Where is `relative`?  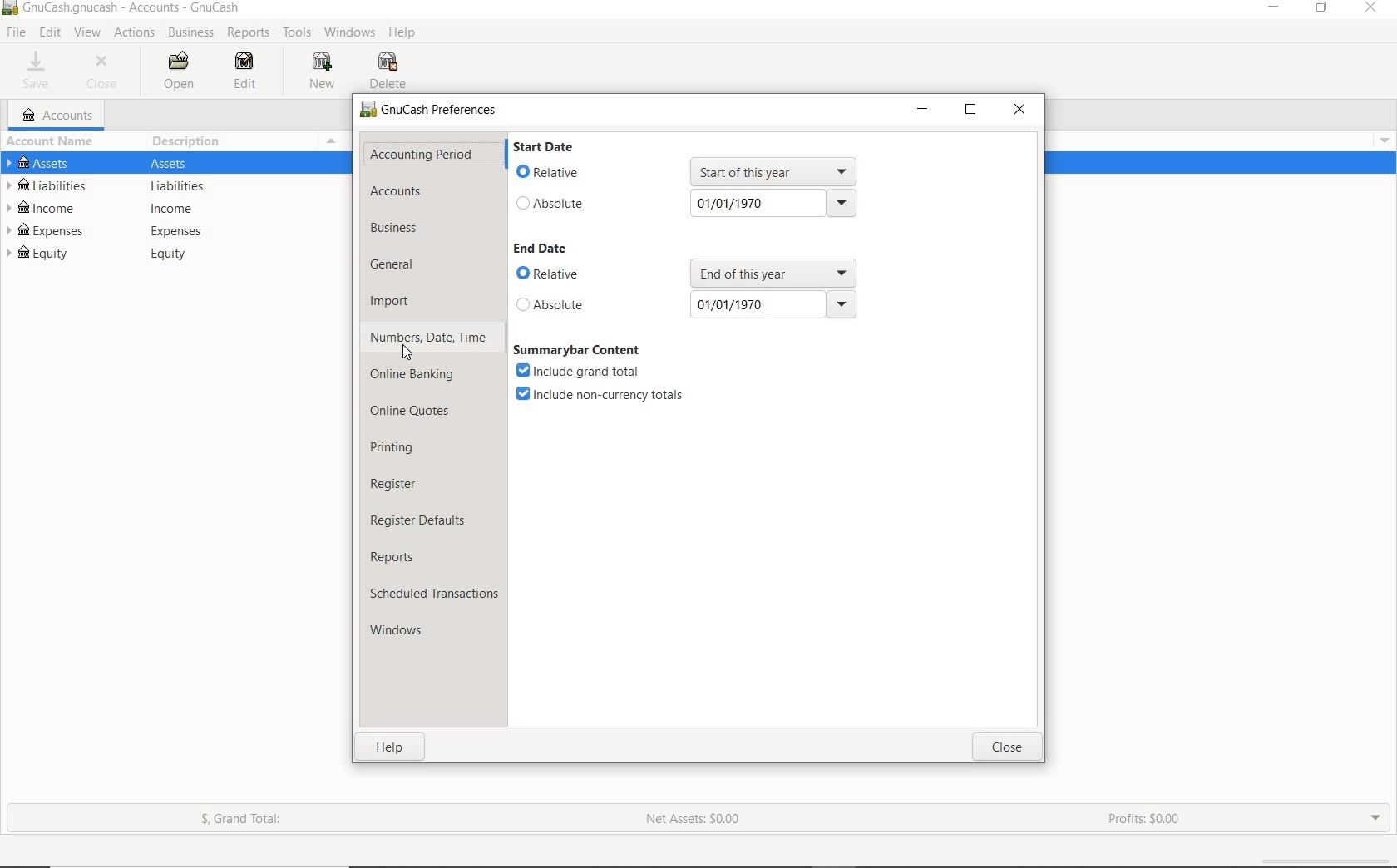
relative is located at coordinates (553, 274).